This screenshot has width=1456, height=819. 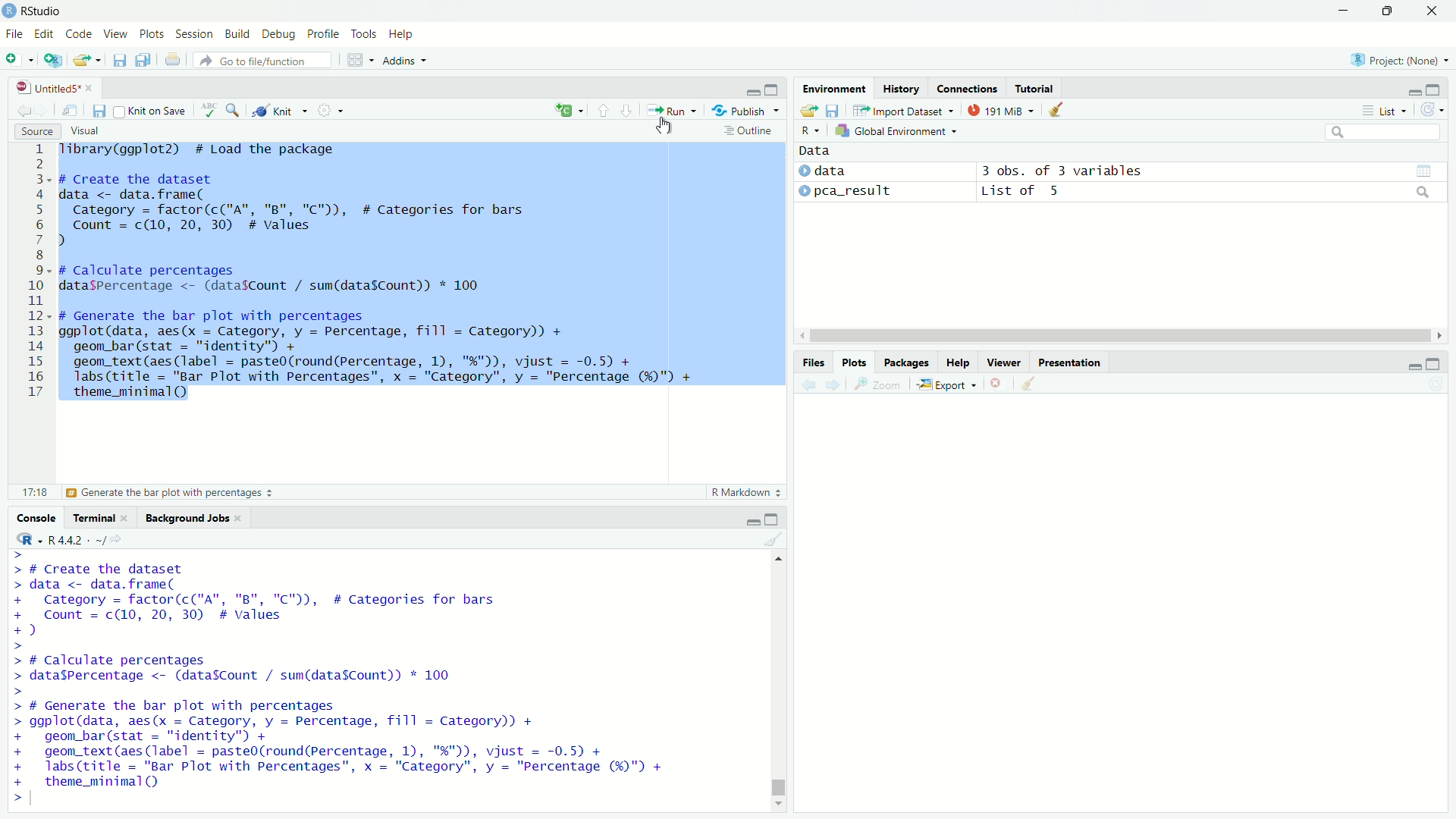 What do you see at coordinates (71, 111) in the screenshot?
I see `show in new window` at bounding box center [71, 111].